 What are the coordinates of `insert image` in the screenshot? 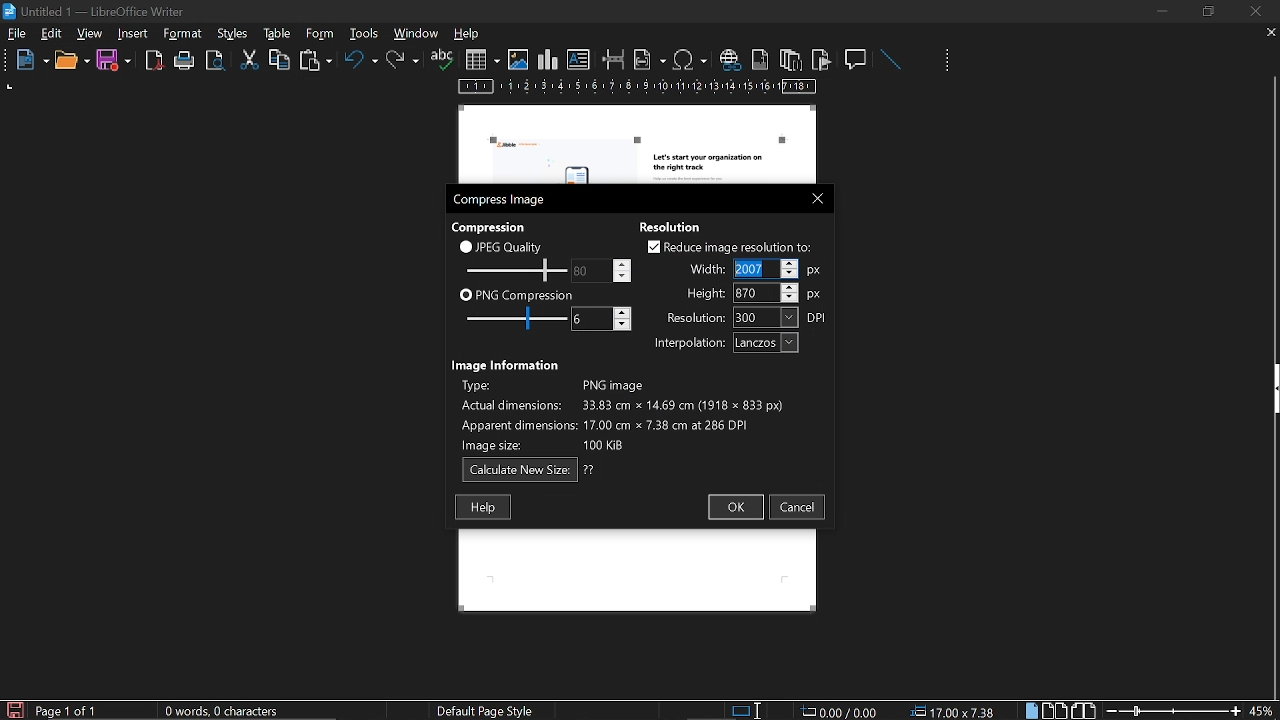 It's located at (518, 60).